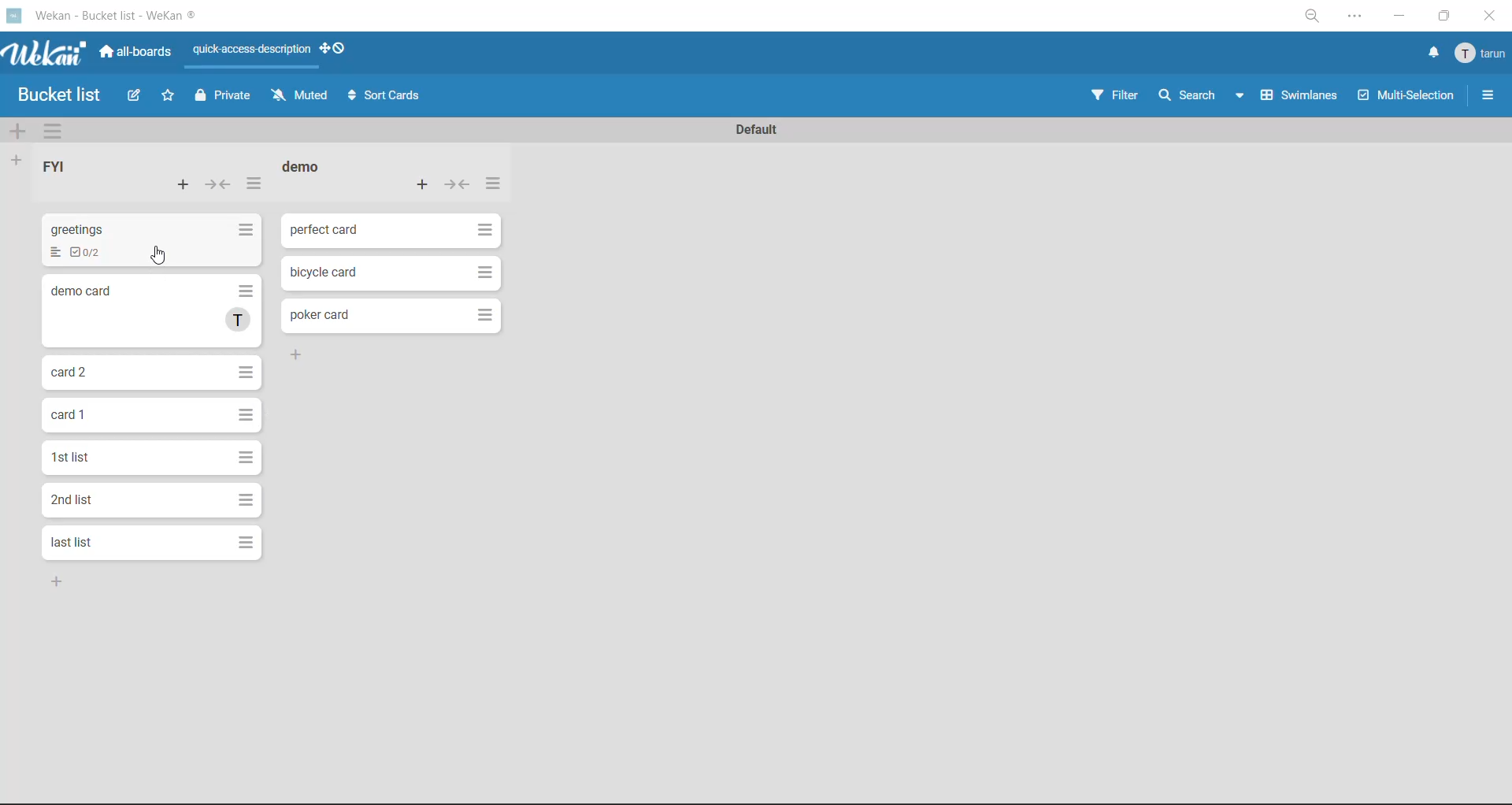 This screenshot has height=805, width=1512. Describe the element at coordinates (150, 458) in the screenshot. I see `card 5` at that location.